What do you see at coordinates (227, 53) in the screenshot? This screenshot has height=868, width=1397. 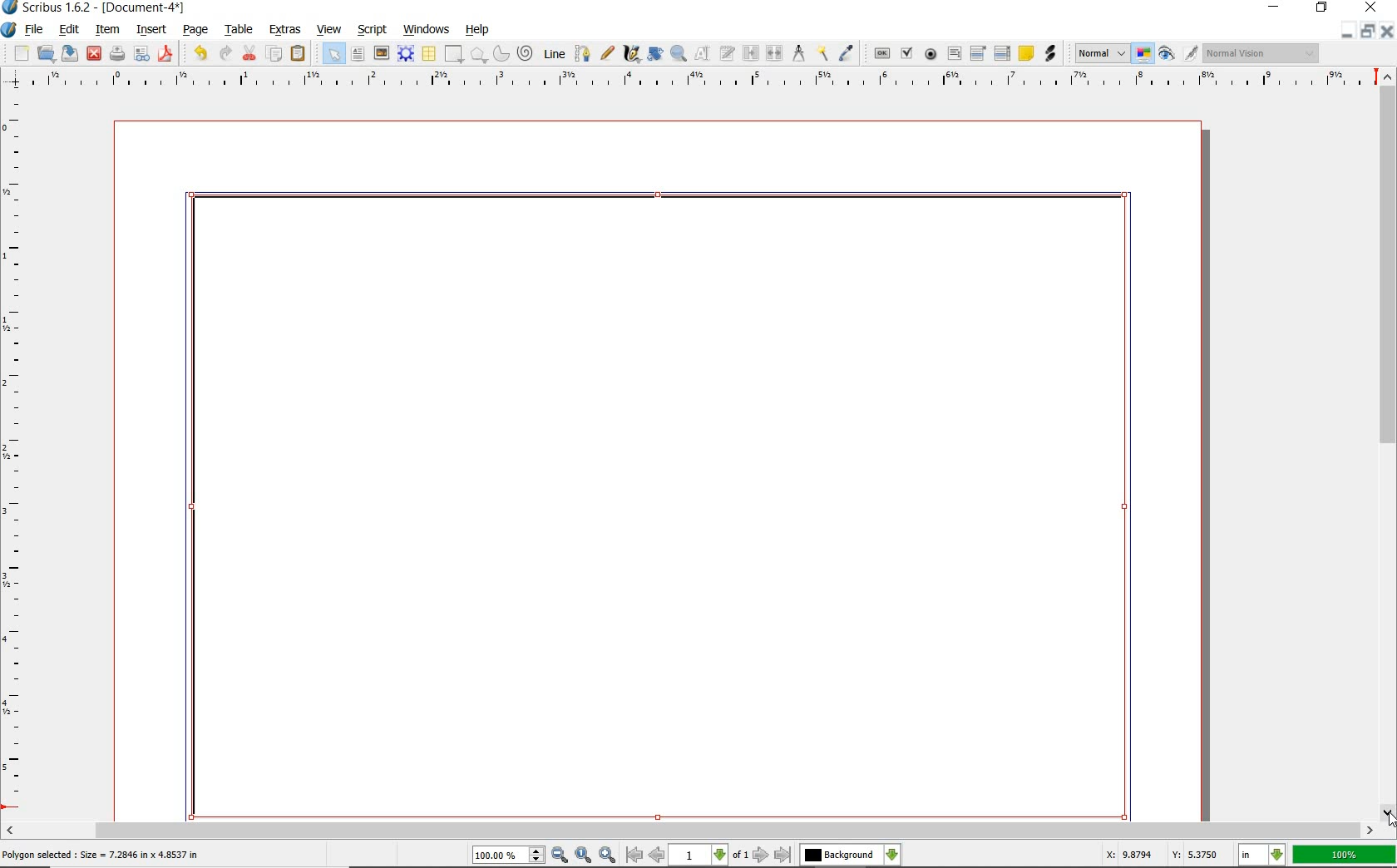 I see `redo` at bounding box center [227, 53].